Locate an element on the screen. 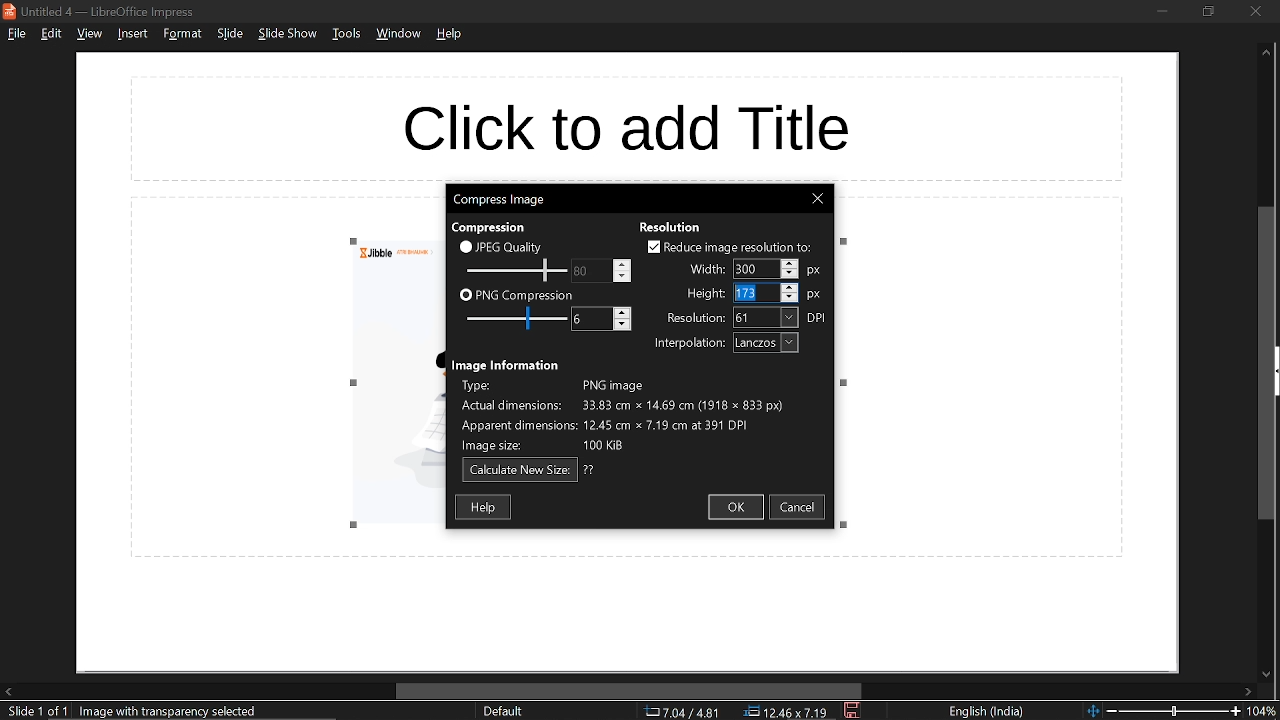  language is located at coordinates (989, 712).